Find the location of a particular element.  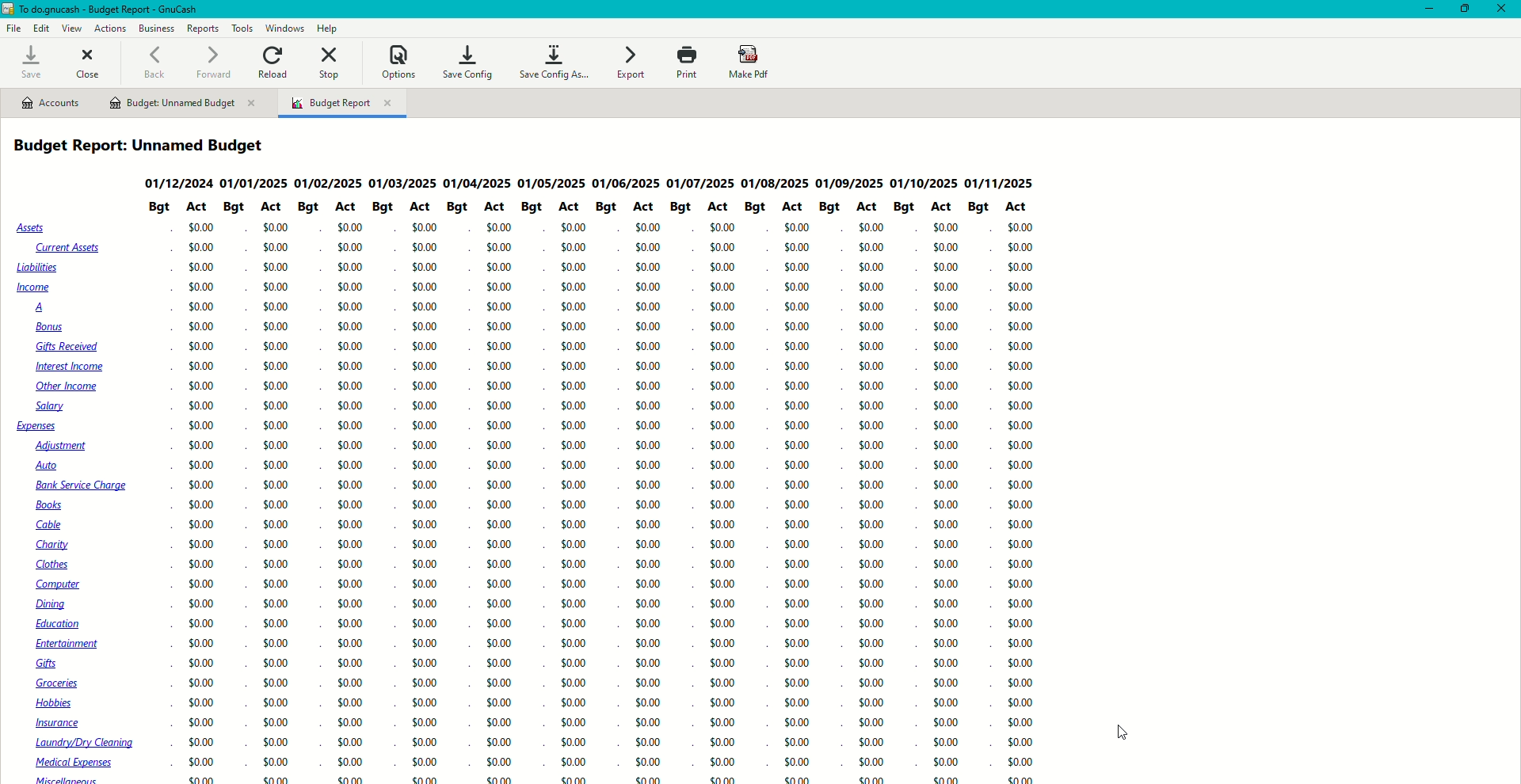

View is located at coordinates (71, 29).